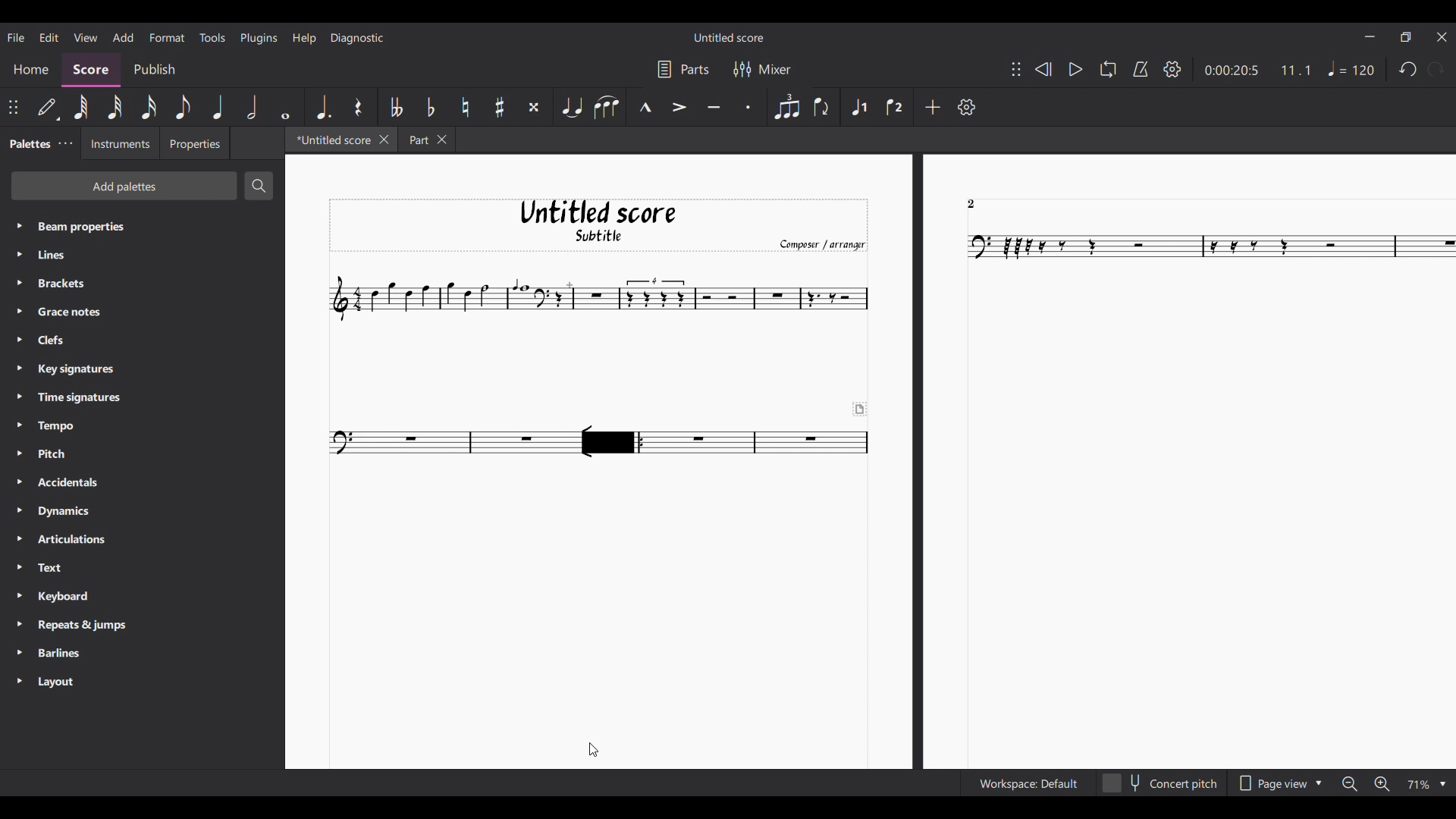 The height and width of the screenshot is (819, 1456). I want to click on 64th note, so click(80, 107).